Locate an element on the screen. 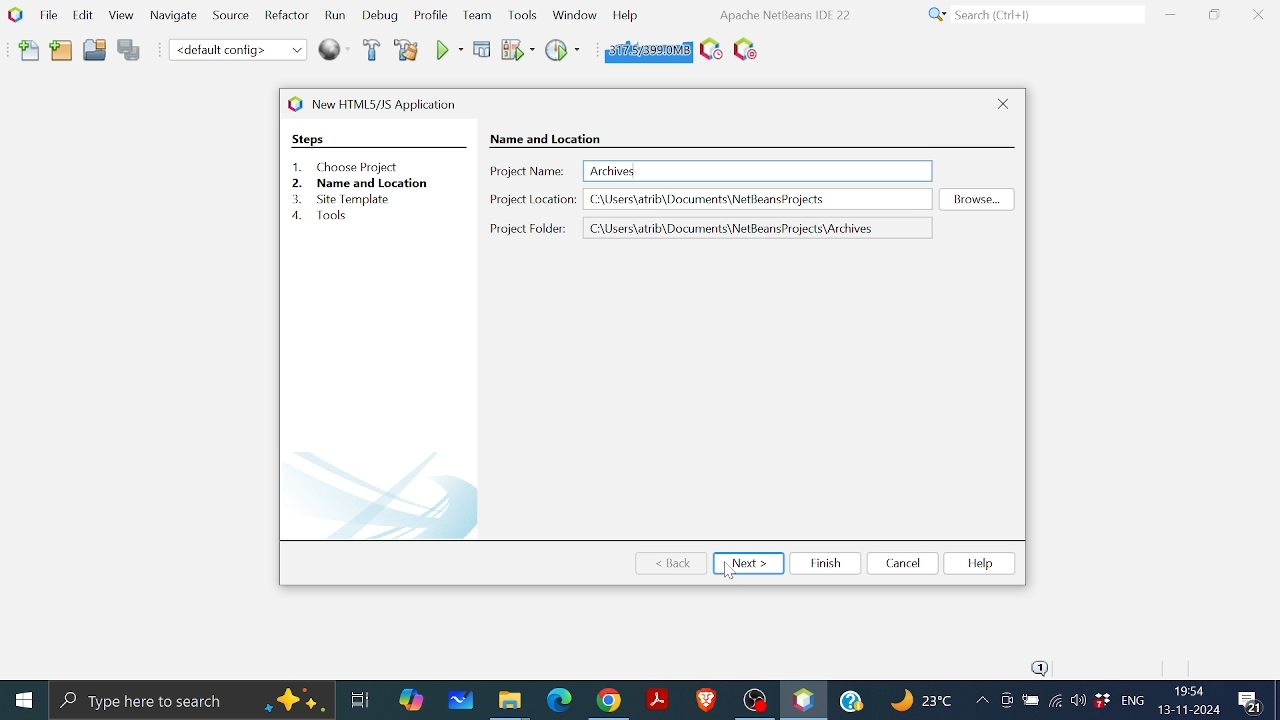 This screenshot has height=720, width=1280. Help is located at coordinates (854, 698).